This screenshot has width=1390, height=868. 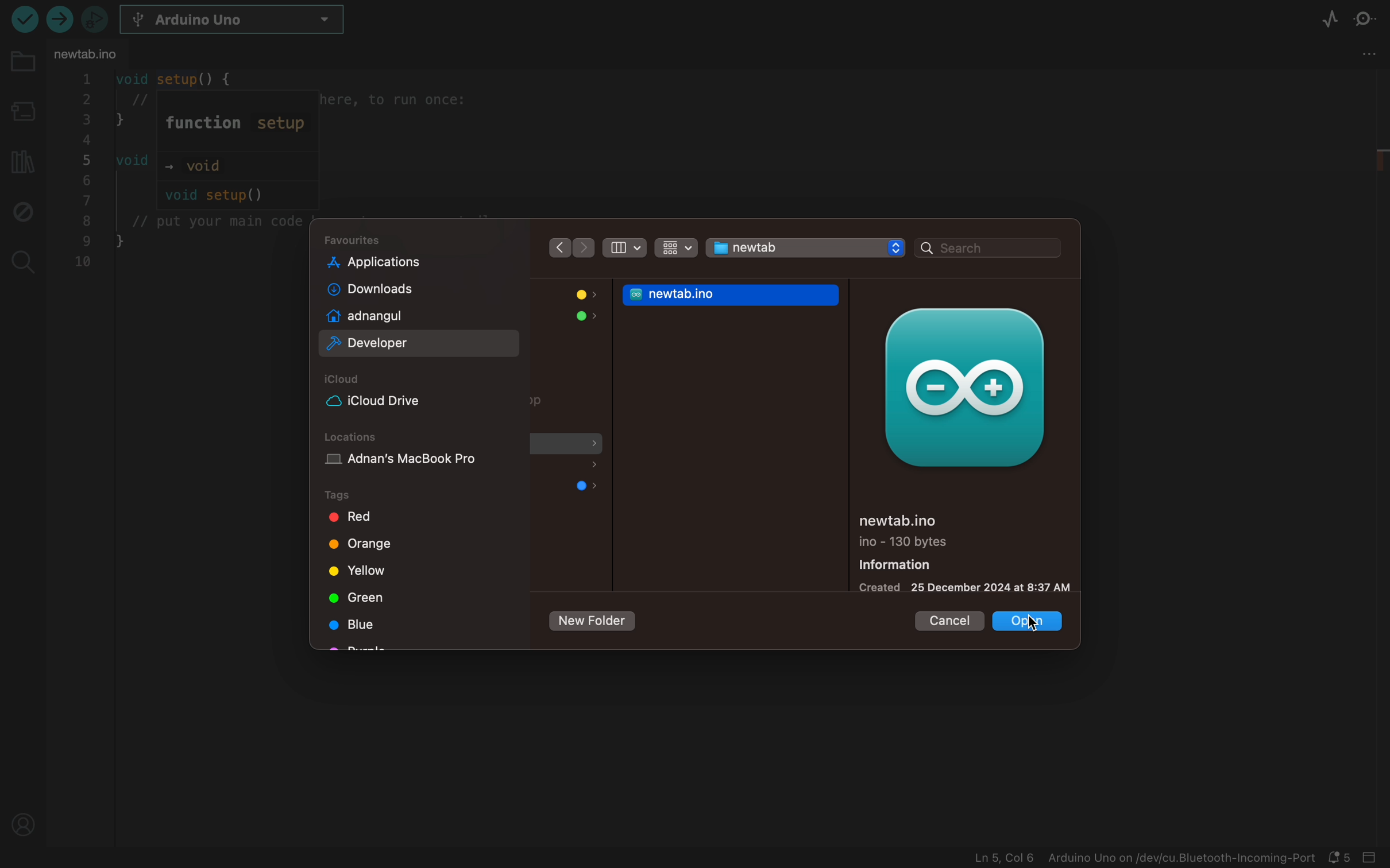 I want to click on downloads, so click(x=399, y=290).